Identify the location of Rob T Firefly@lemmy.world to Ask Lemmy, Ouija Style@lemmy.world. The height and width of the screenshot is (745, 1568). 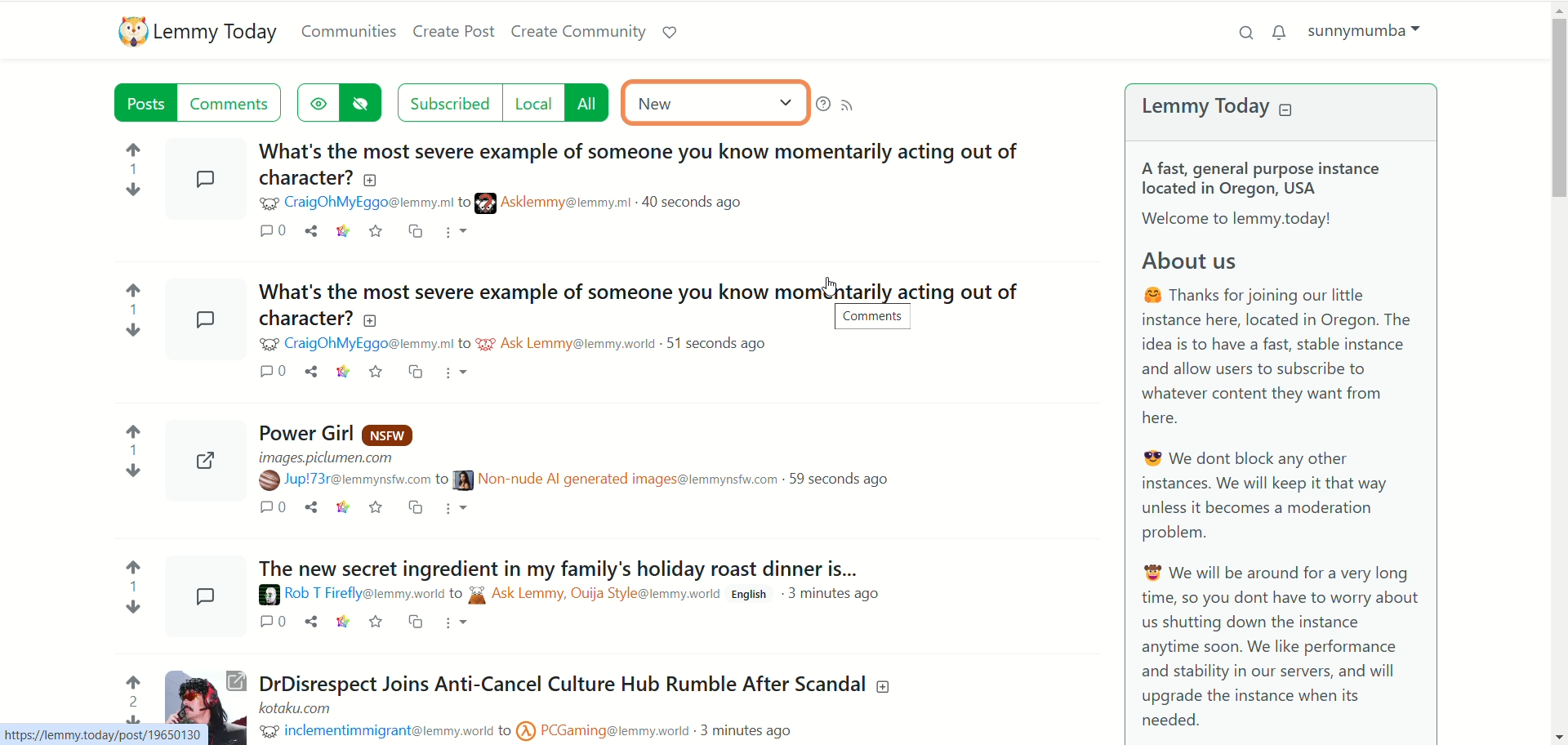
(503, 596).